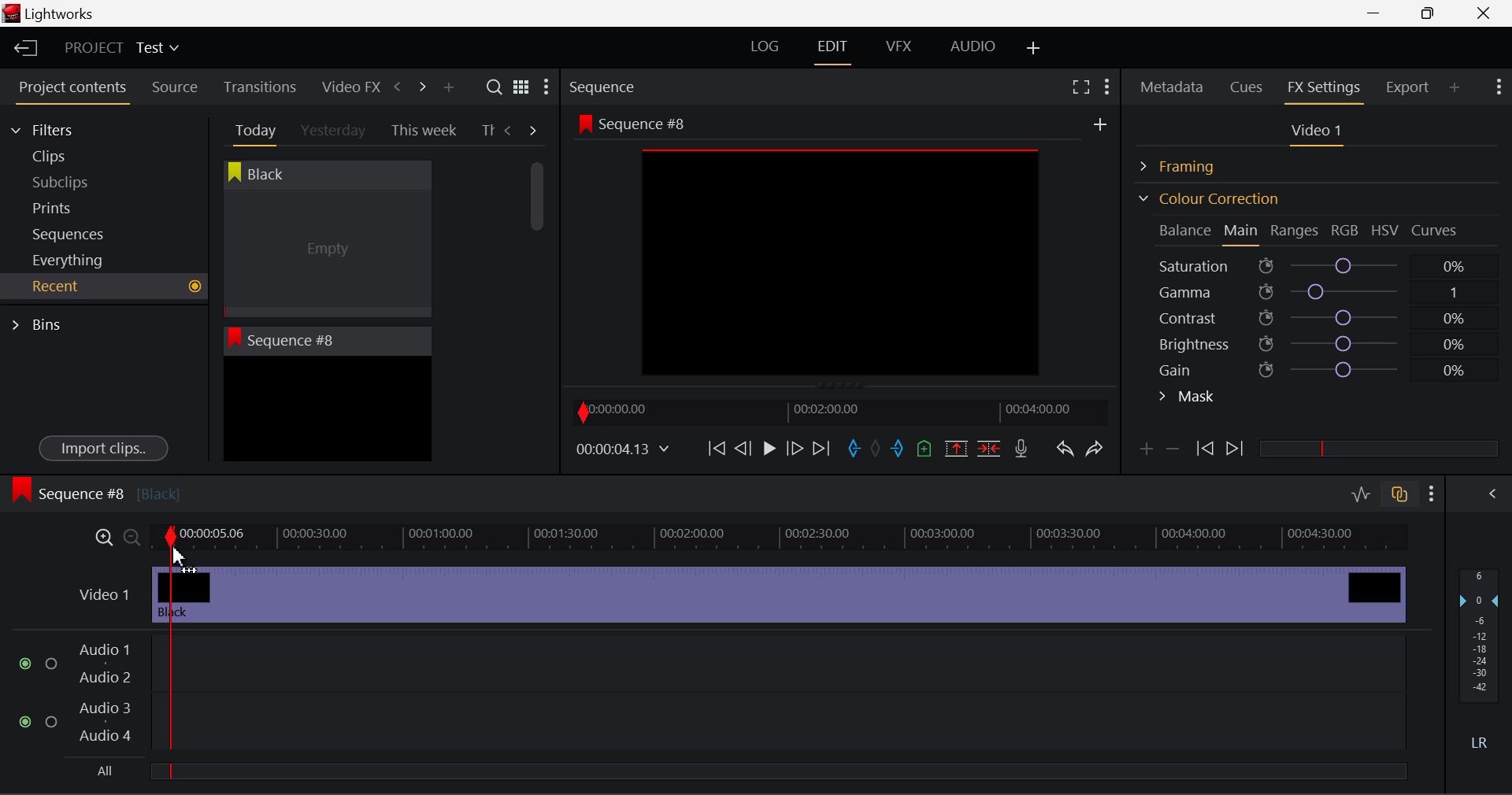 The image size is (1512, 795). I want to click on This week Tab, so click(422, 131).